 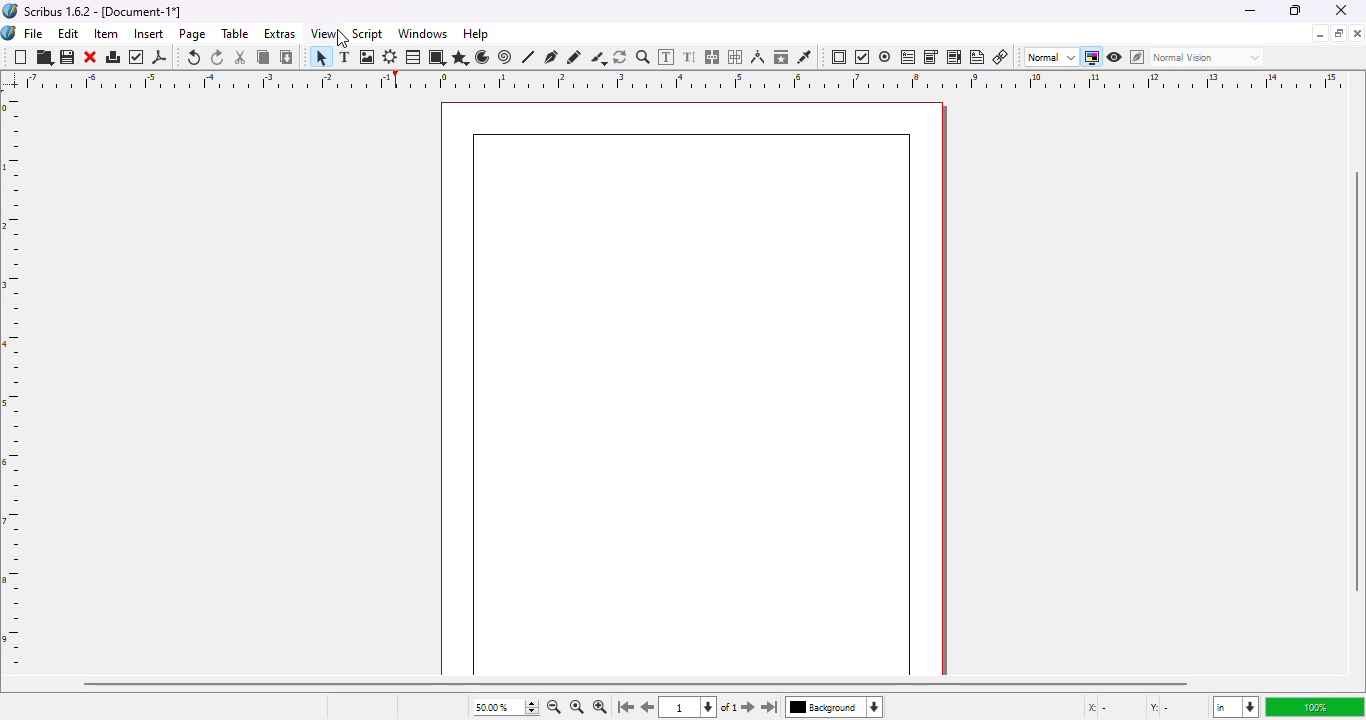 I want to click on preview mode, so click(x=1115, y=56).